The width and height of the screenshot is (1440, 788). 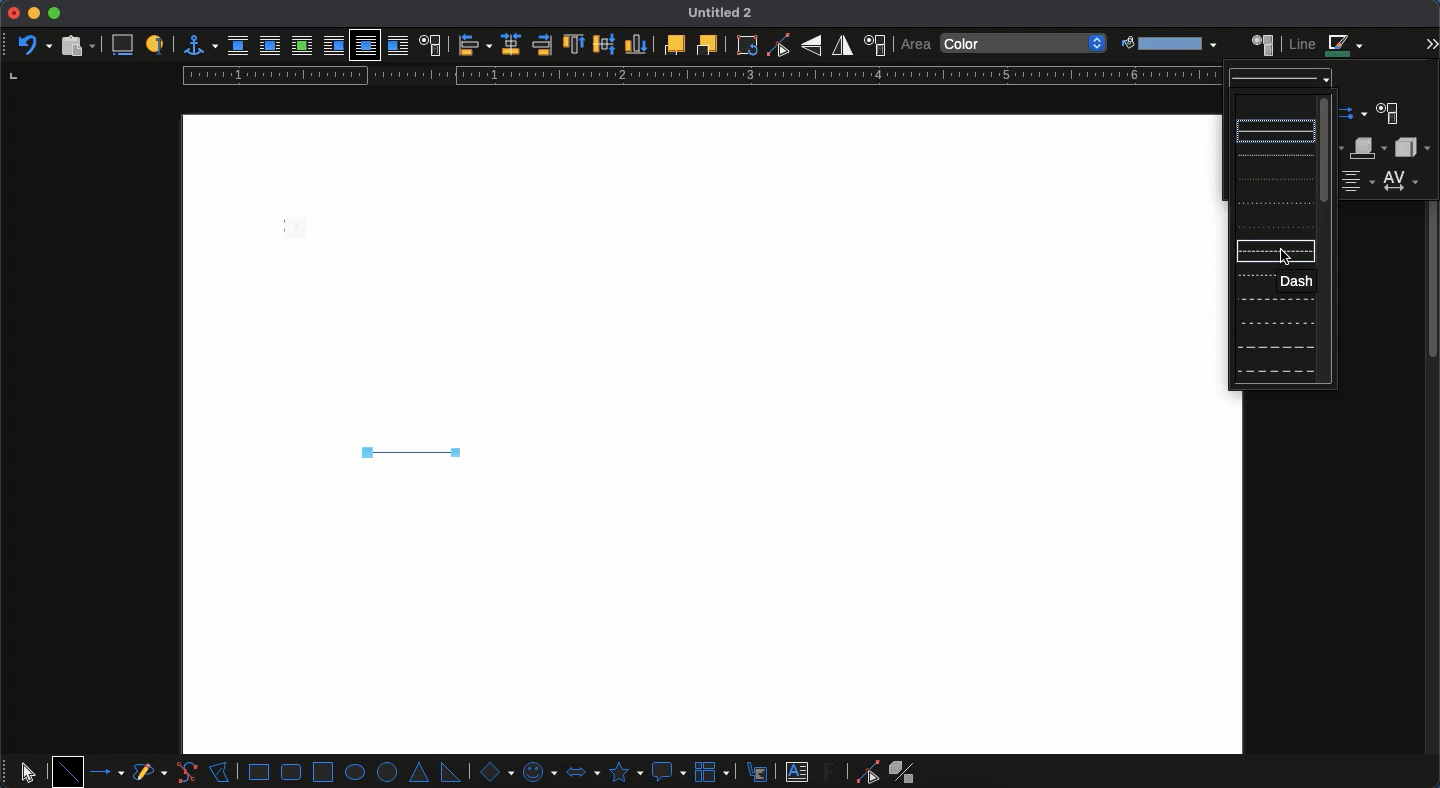 What do you see at coordinates (28, 769) in the screenshot?
I see `select` at bounding box center [28, 769].